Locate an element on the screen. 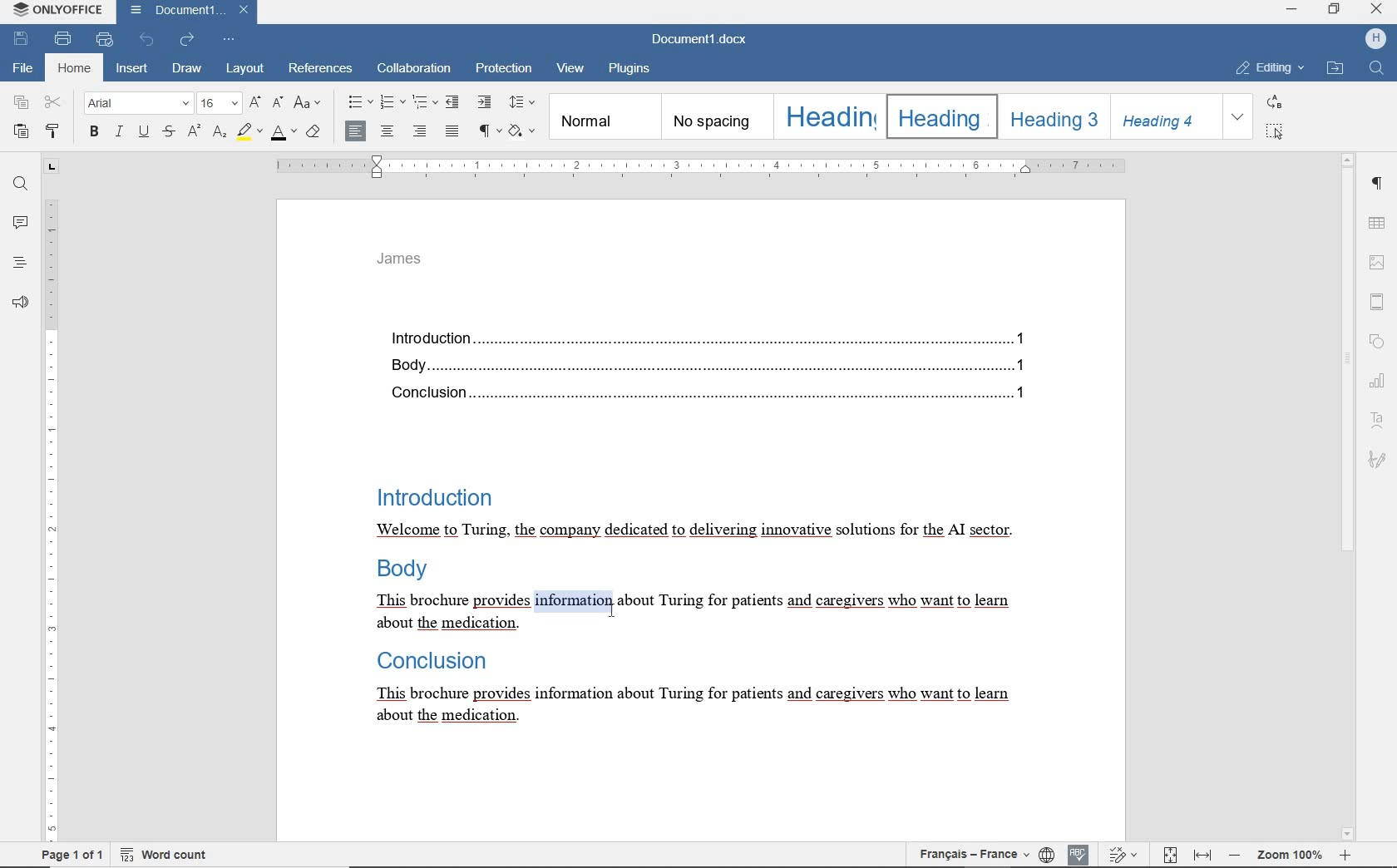  Body....1 is located at coordinates (700, 365).